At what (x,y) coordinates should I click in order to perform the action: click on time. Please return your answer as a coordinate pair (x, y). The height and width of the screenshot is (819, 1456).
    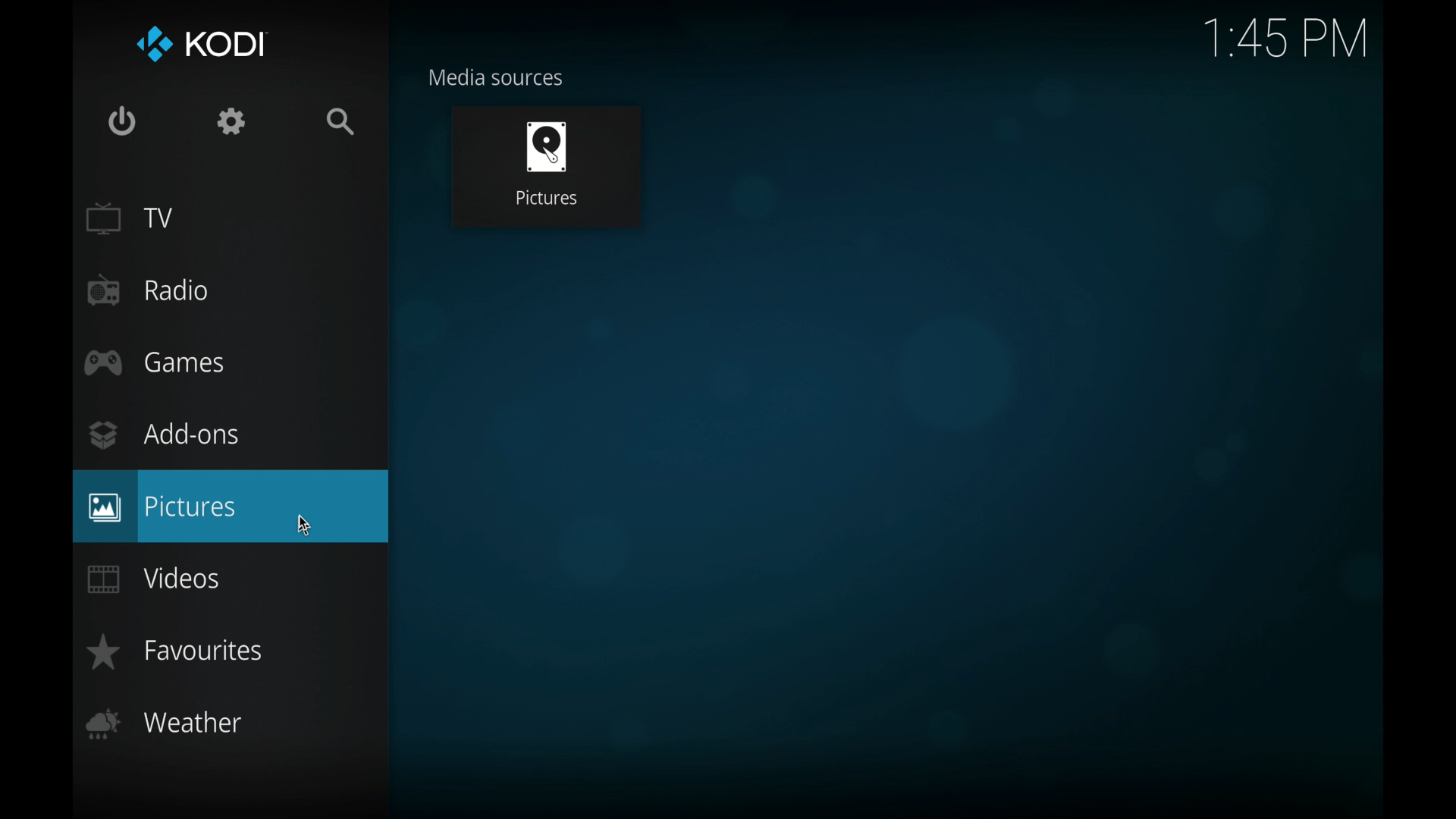
    Looking at the image, I should click on (1285, 39).